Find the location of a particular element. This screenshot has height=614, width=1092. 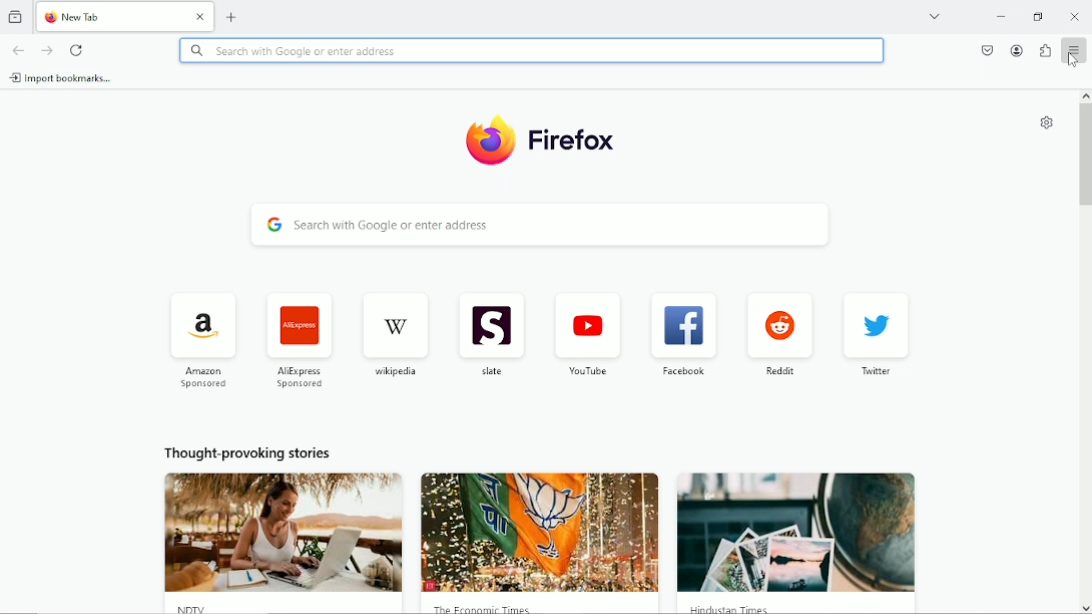

icon is located at coordinates (685, 324).